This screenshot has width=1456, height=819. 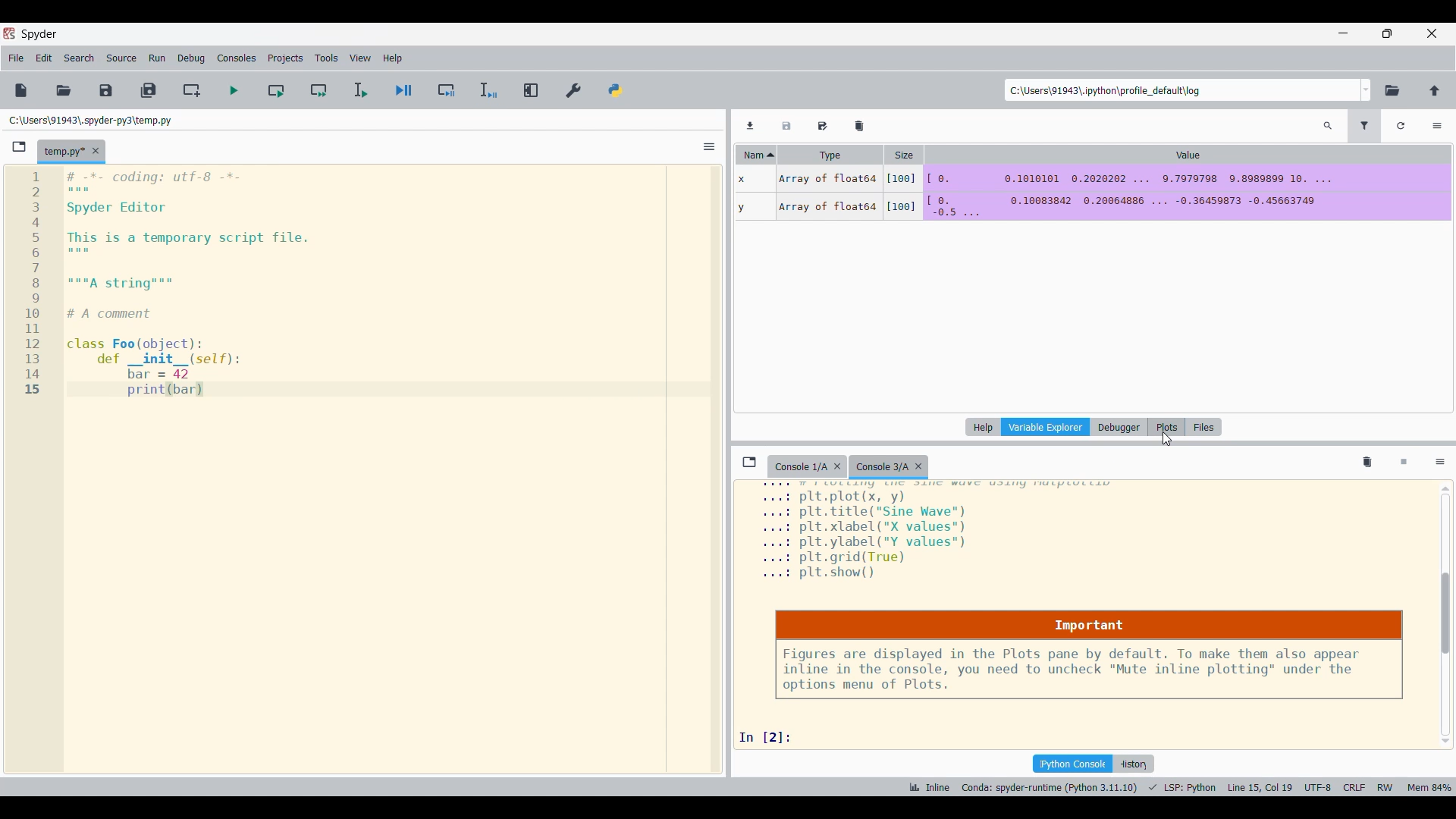 I want to click on UTF-8, so click(x=1318, y=786).